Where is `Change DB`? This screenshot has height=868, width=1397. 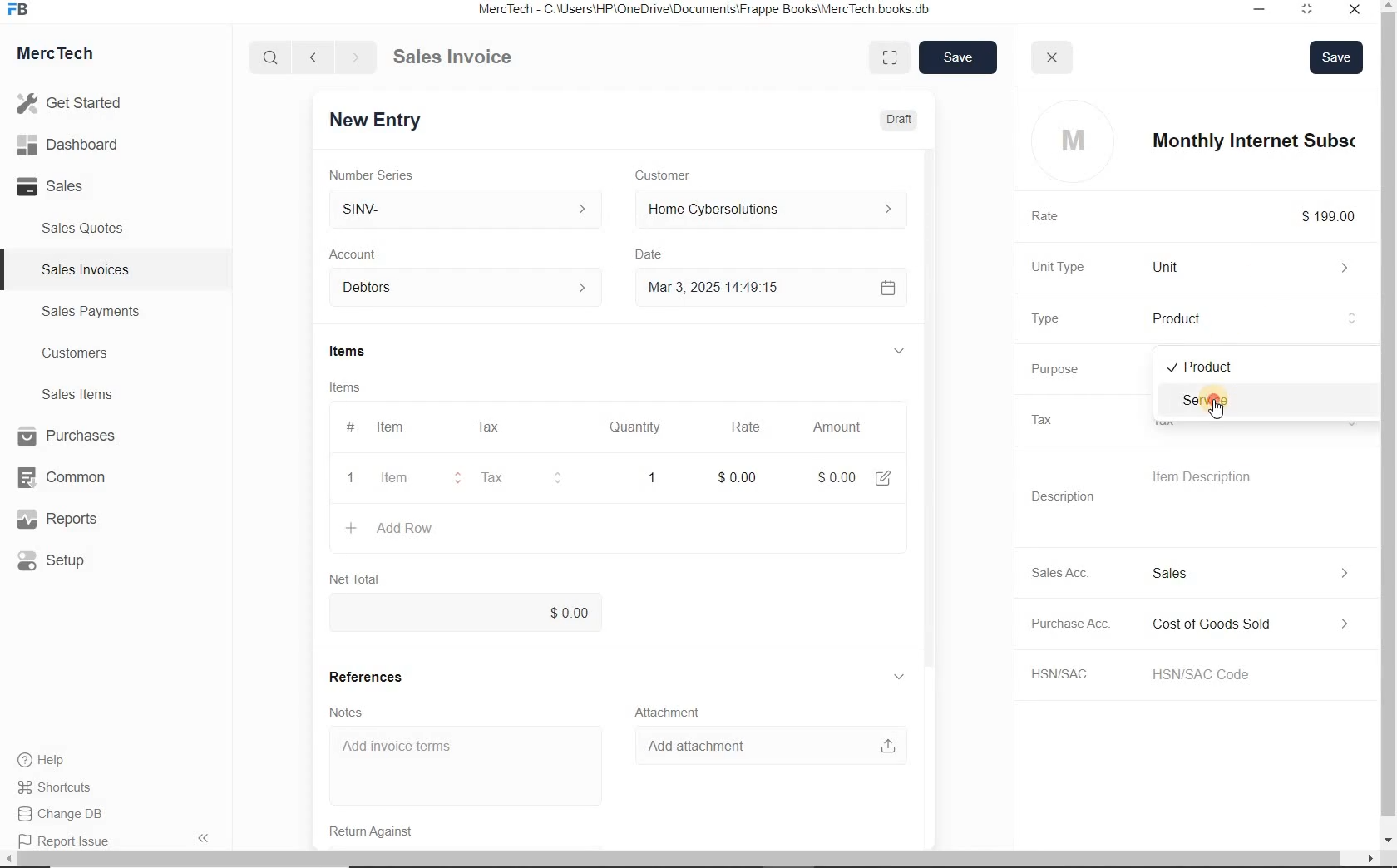 Change DB is located at coordinates (62, 814).